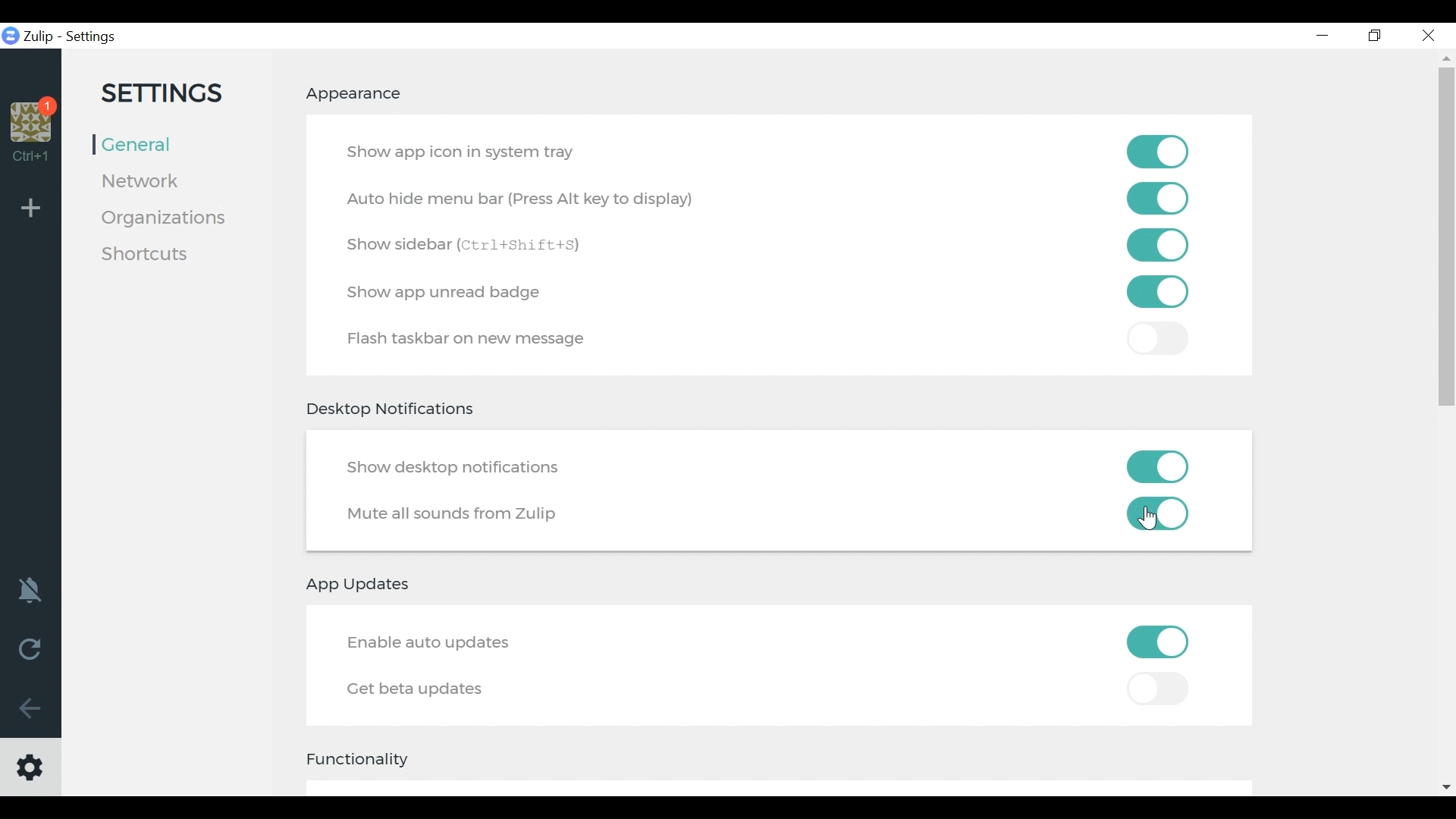 This screenshot has width=1456, height=819. Describe the element at coordinates (1320, 35) in the screenshot. I see `minimize` at that location.